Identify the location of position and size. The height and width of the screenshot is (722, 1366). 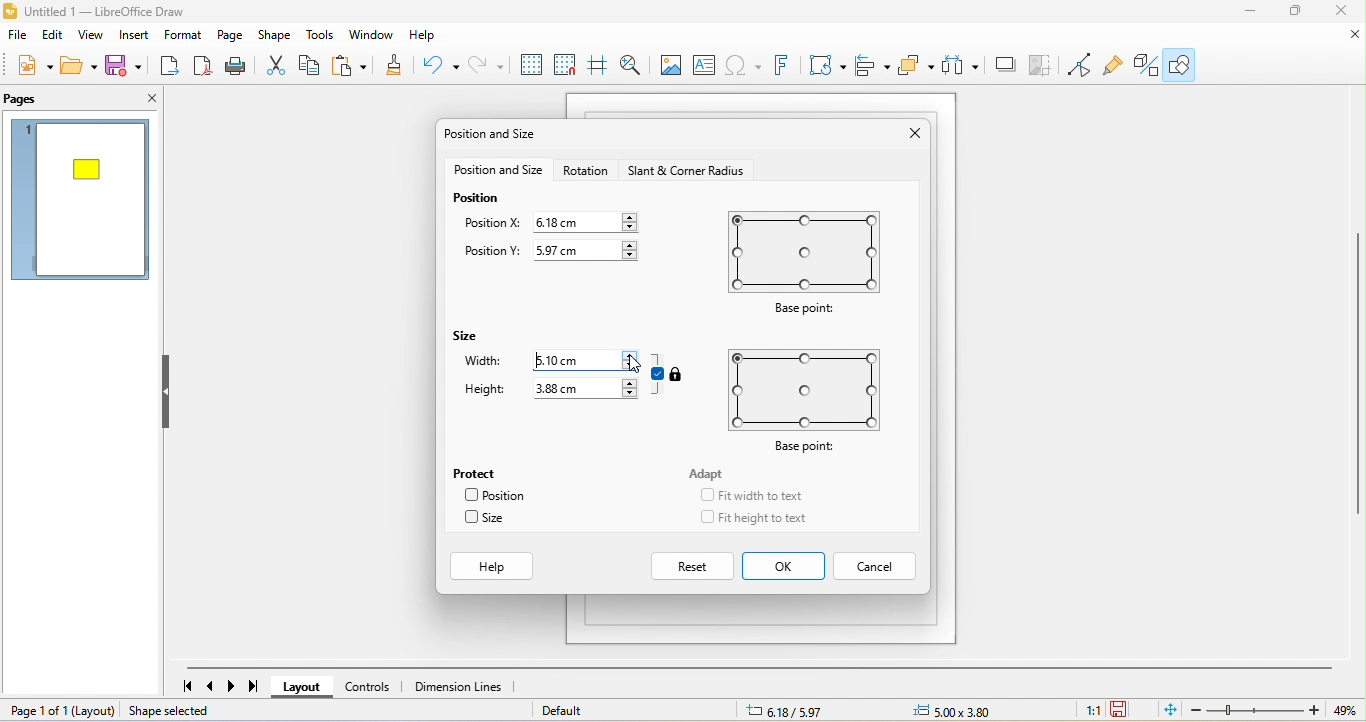
(496, 136).